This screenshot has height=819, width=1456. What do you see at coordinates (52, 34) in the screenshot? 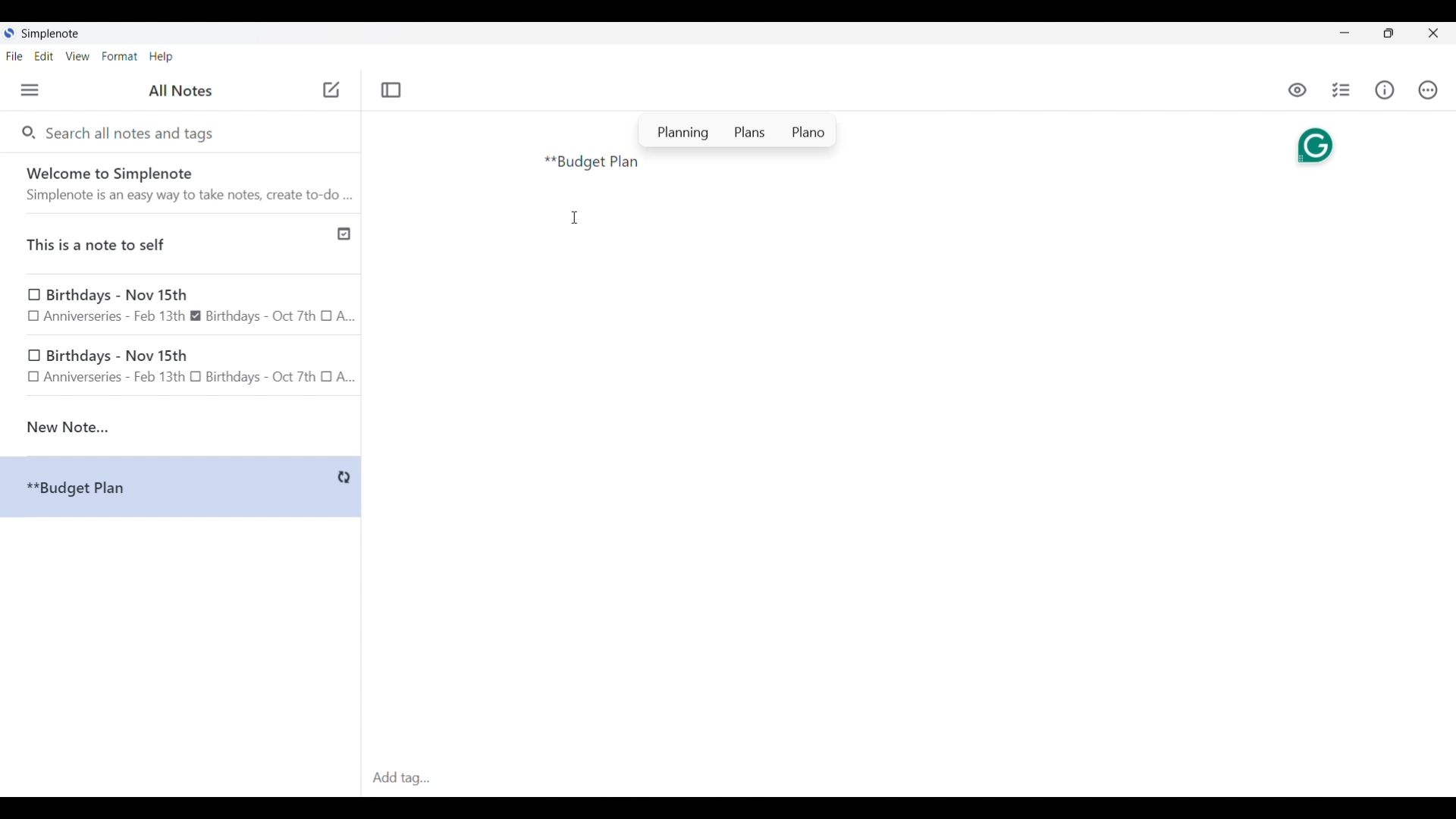
I see `Software name` at bounding box center [52, 34].